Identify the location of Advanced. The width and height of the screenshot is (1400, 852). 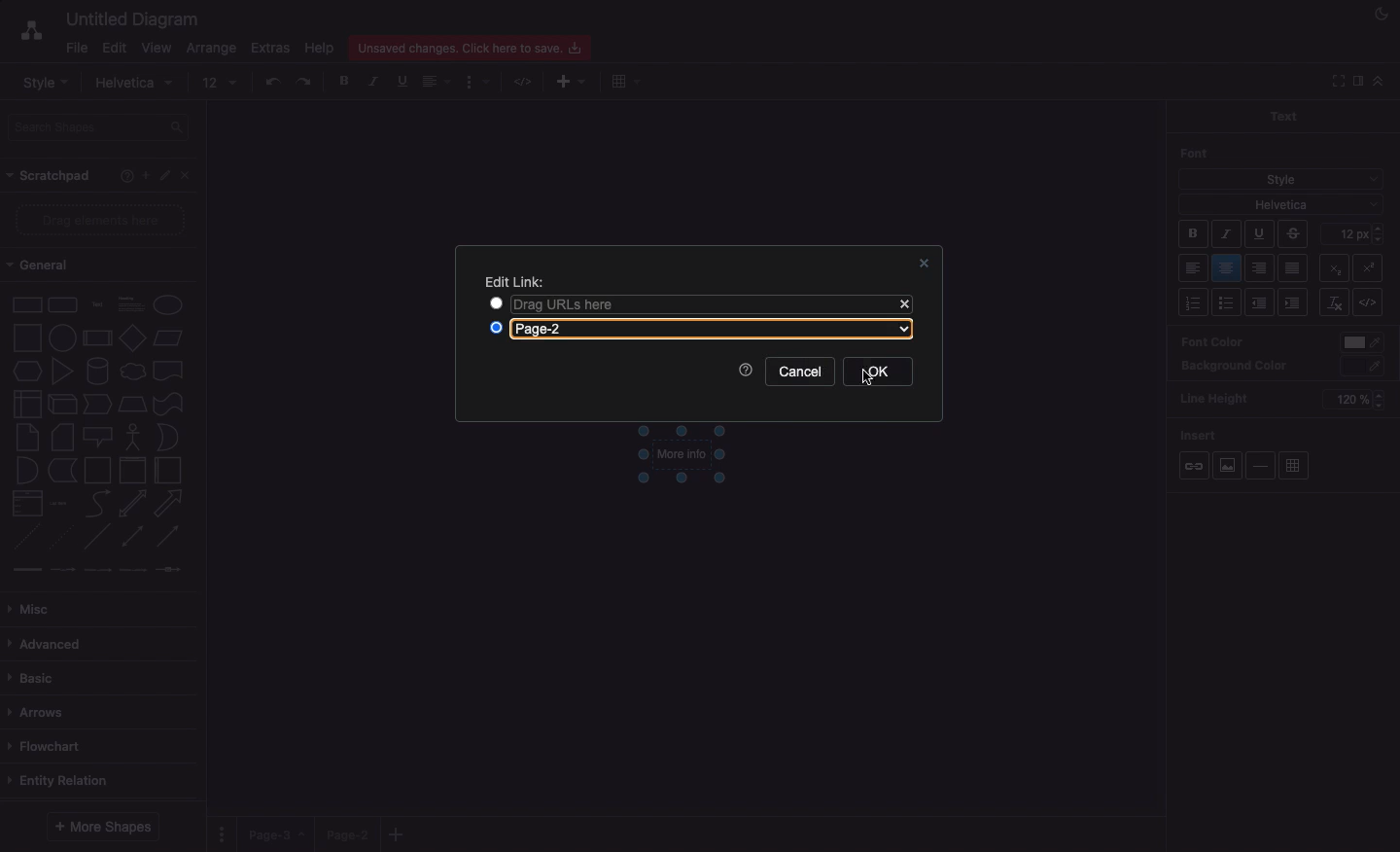
(49, 646).